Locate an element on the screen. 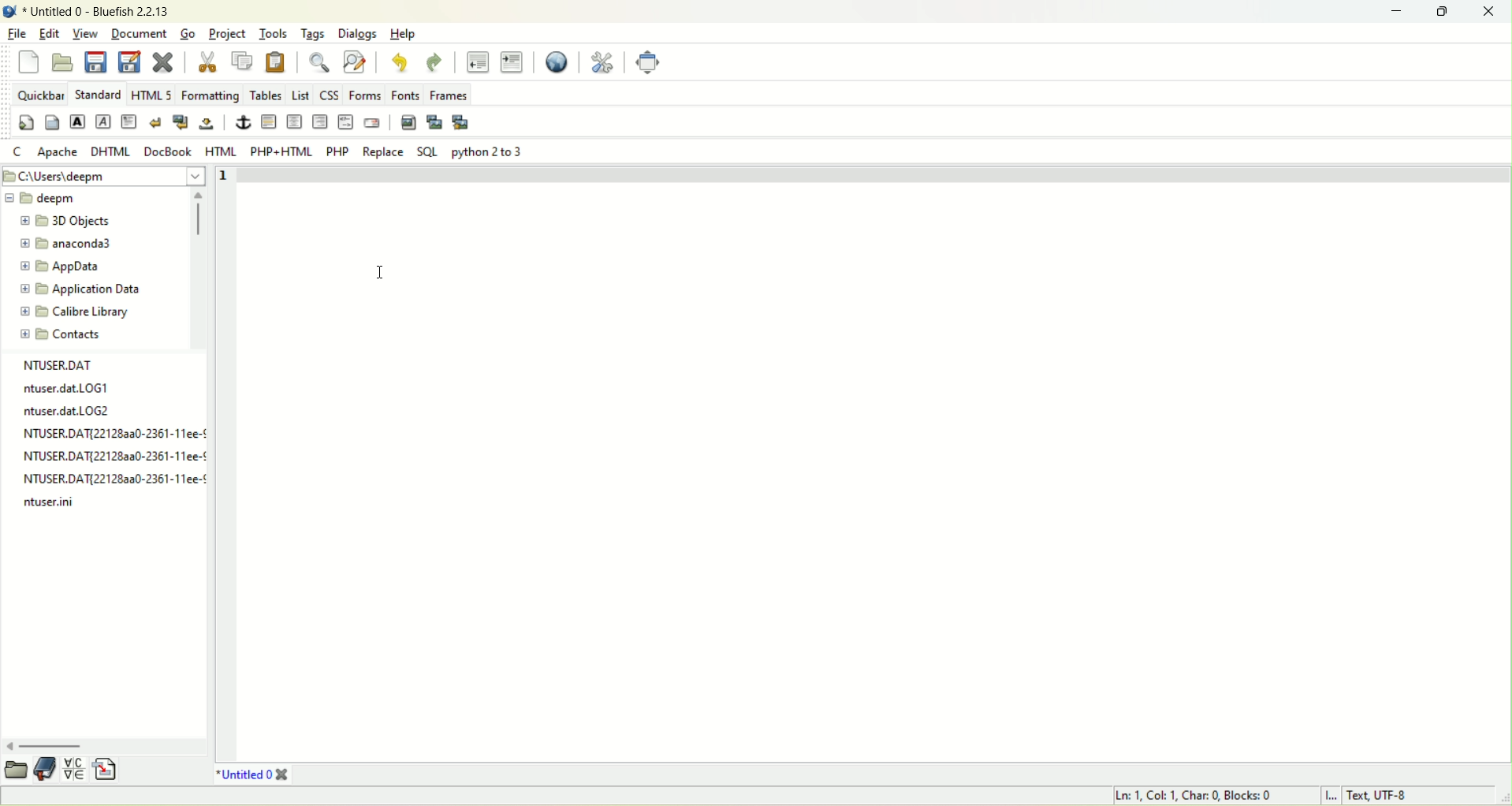 This screenshot has width=1512, height=806. anchor is located at coordinates (244, 122).